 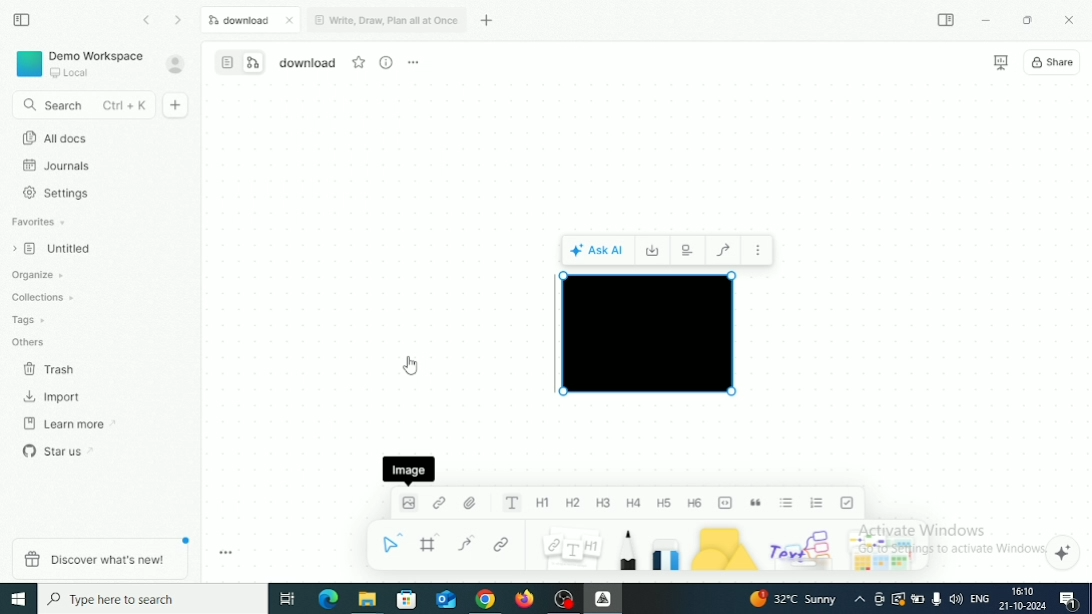 What do you see at coordinates (407, 599) in the screenshot?
I see `Microsoft store` at bounding box center [407, 599].